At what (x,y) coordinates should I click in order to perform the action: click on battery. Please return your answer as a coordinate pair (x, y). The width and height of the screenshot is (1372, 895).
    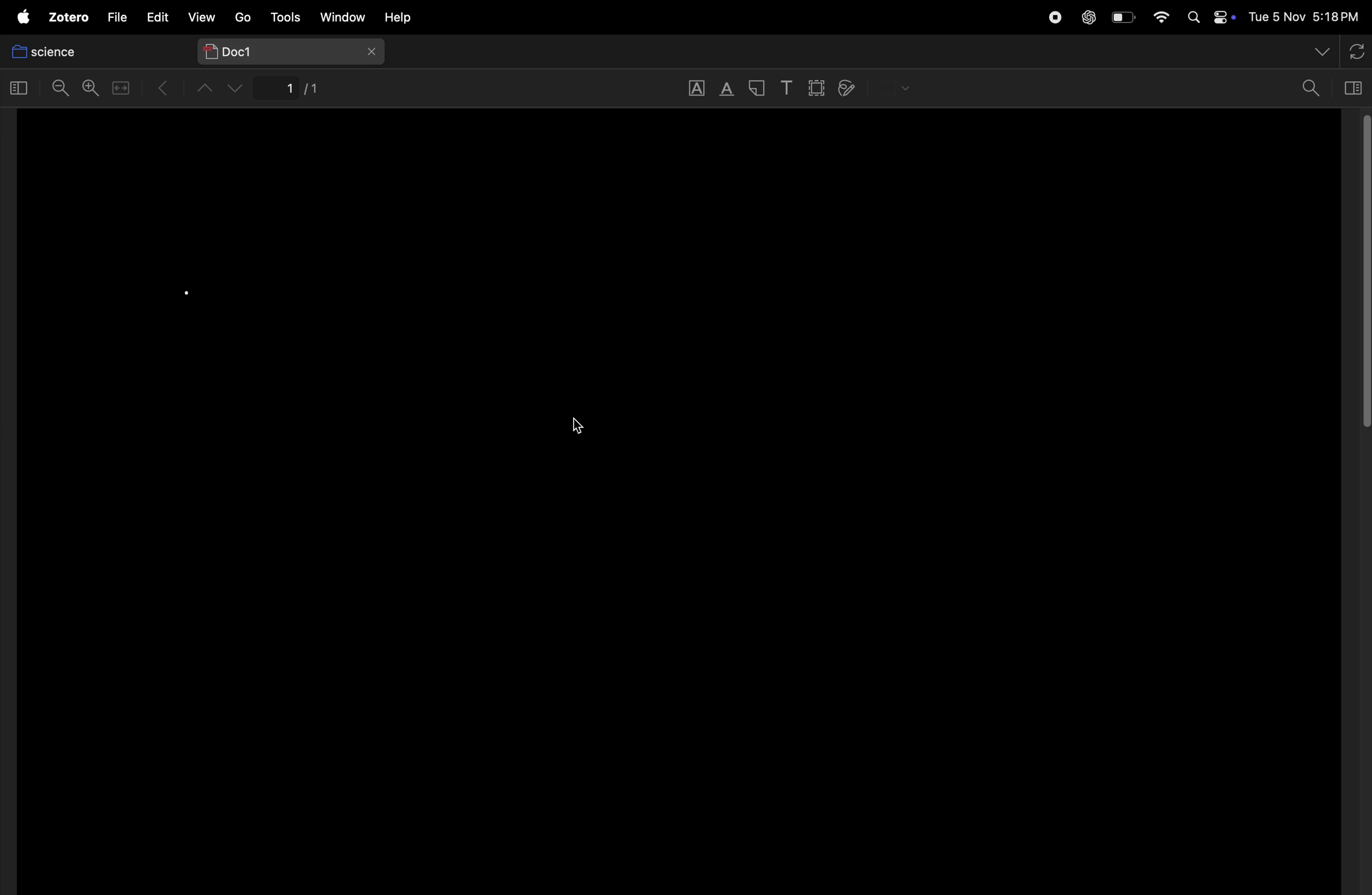
    Looking at the image, I should click on (1120, 17).